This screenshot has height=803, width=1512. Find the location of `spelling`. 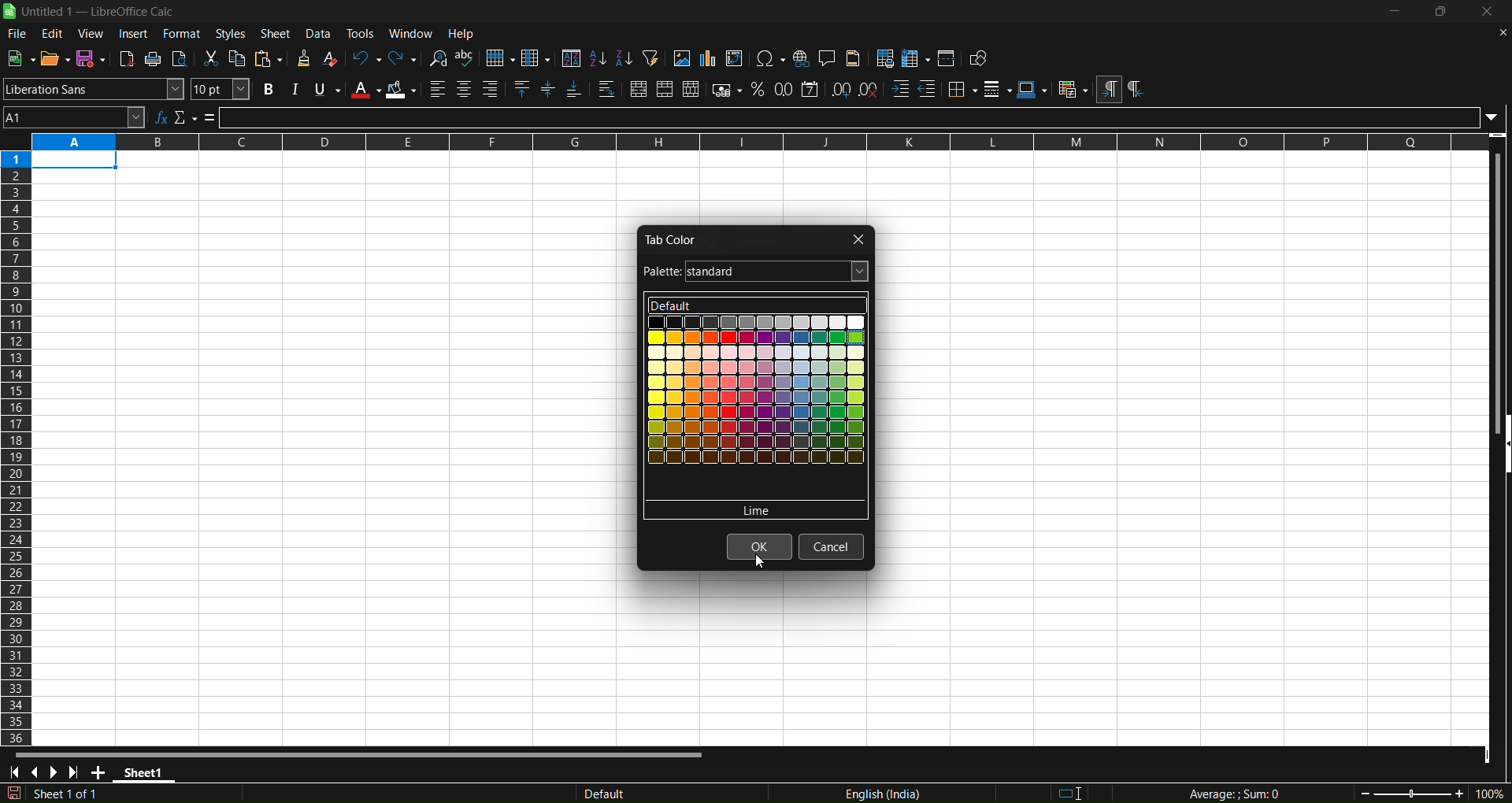

spelling is located at coordinates (465, 58).